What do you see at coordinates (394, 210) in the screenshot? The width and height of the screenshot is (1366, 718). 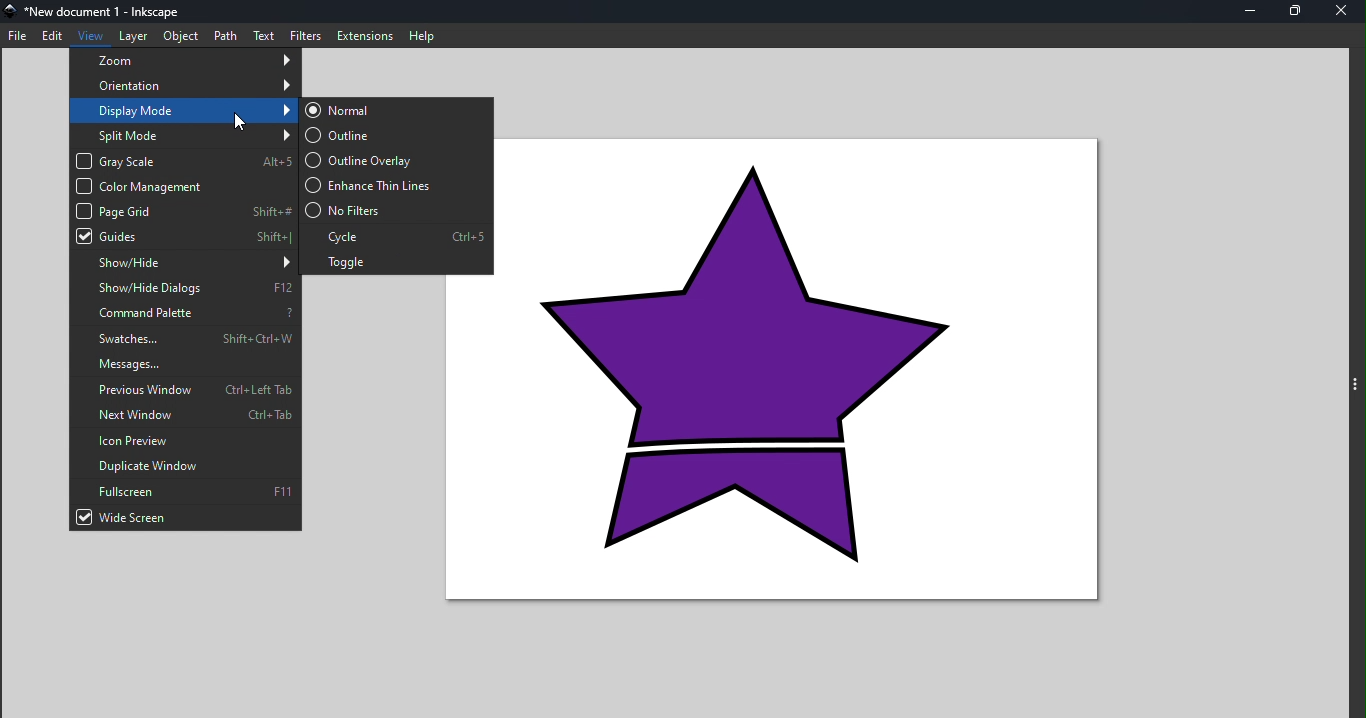 I see `No filters` at bounding box center [394, 210].